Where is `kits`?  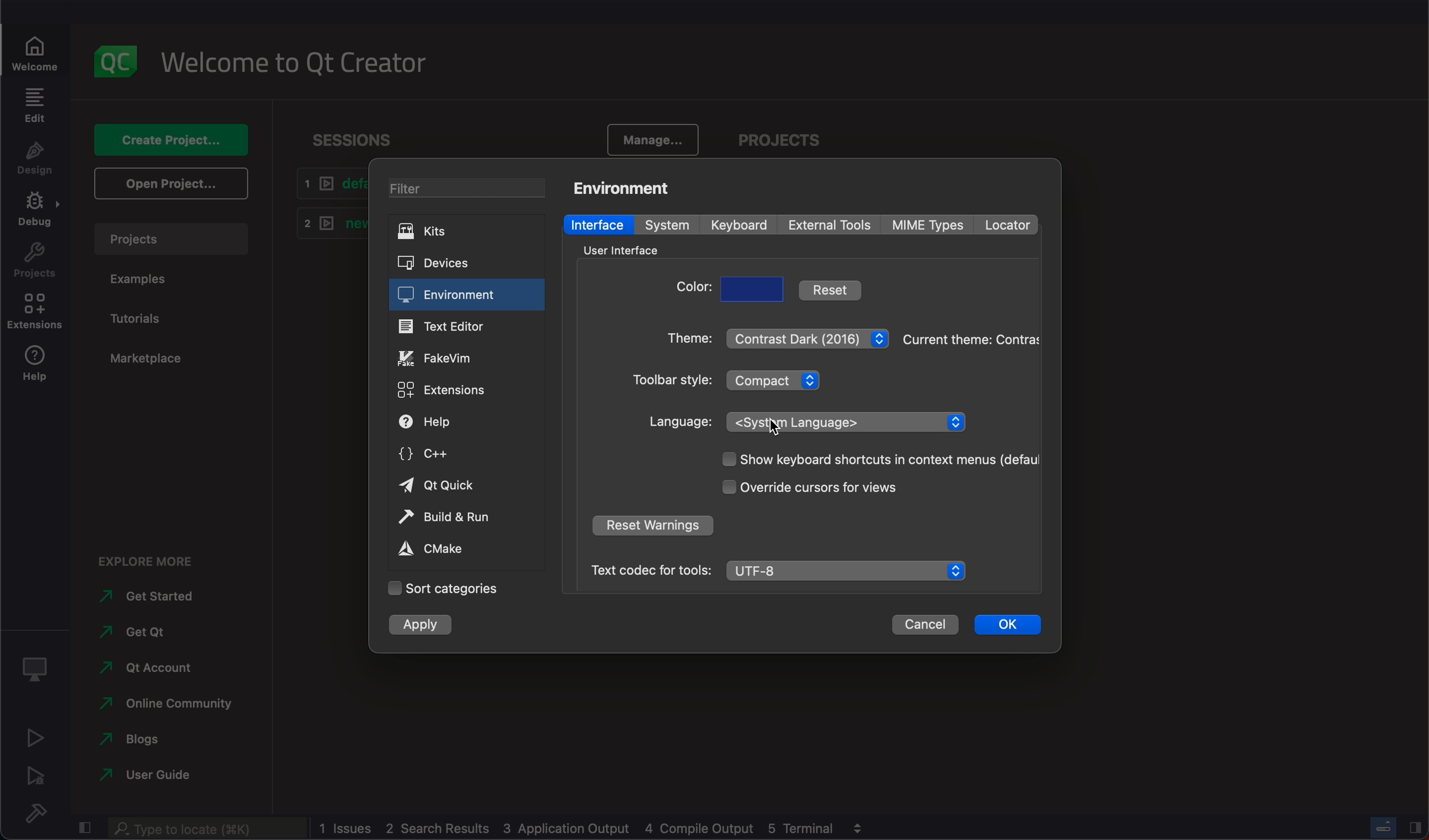
kits is located at coordinates (462, 231).